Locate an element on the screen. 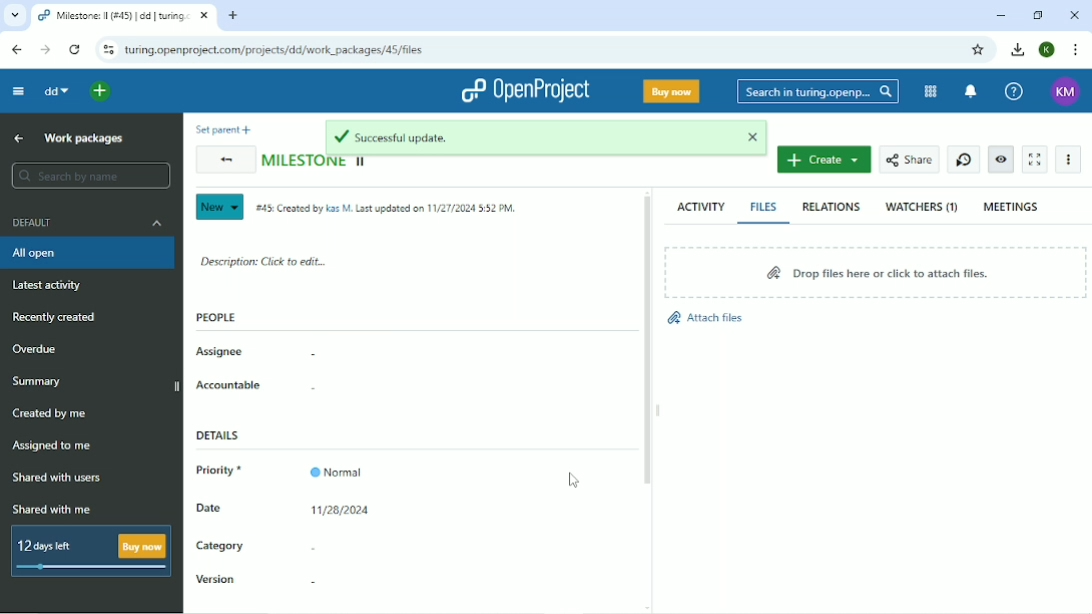 This screenshot has height=614, width=1092. Date changed is located at coordinates (341, 510).